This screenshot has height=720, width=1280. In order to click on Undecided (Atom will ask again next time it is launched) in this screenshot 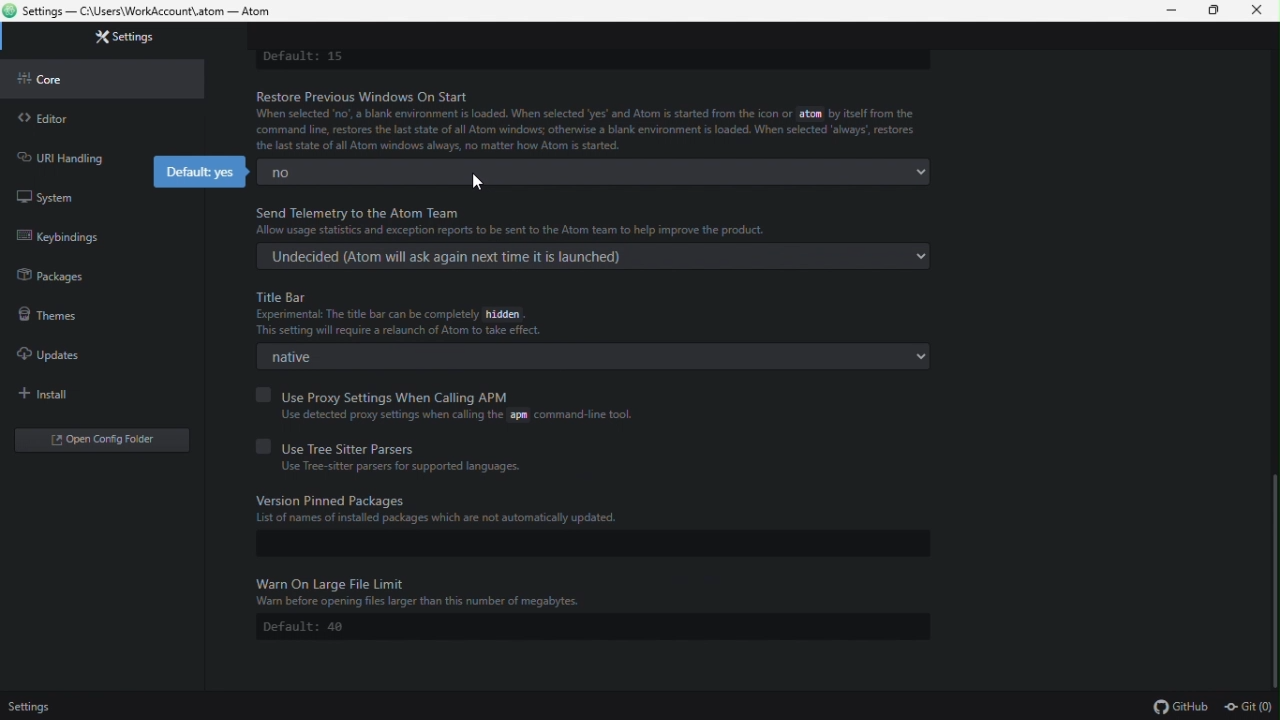, I will do `click(594, 259)`.